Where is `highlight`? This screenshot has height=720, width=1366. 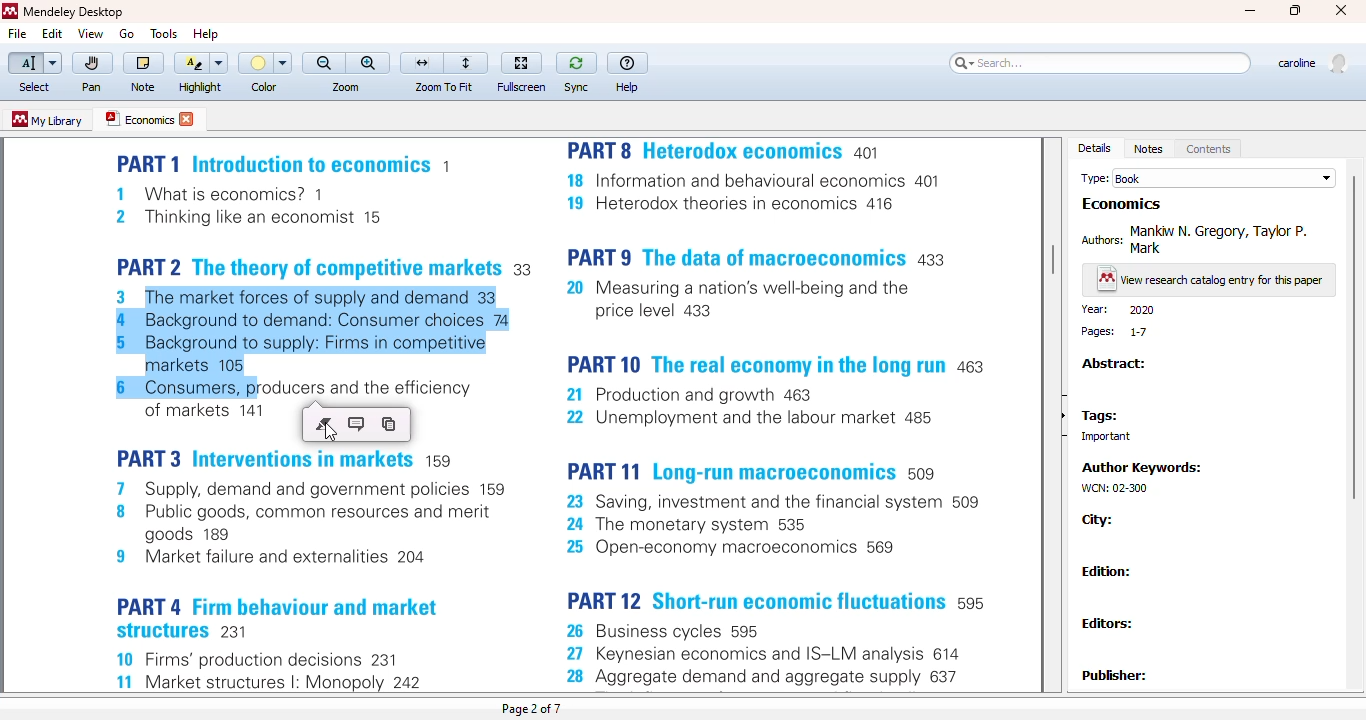
highlight is located at coordinates (201, 87).